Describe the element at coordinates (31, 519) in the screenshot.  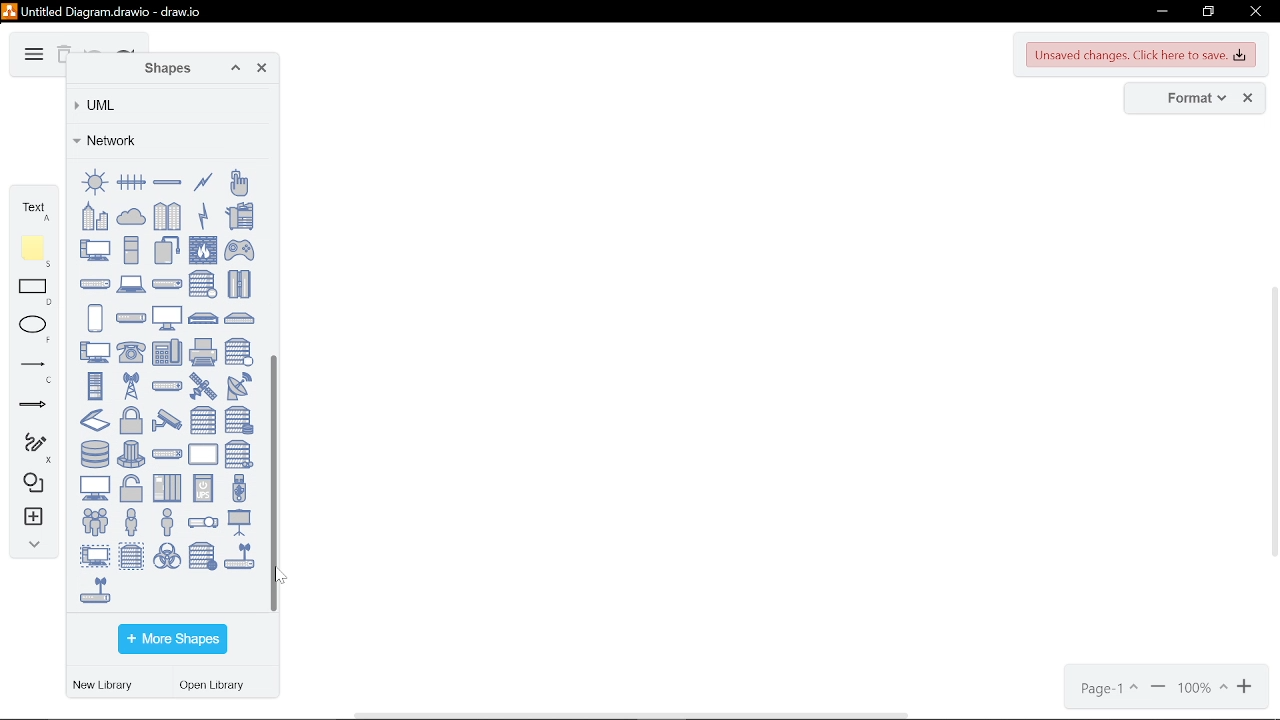
I see `insert` at that location.